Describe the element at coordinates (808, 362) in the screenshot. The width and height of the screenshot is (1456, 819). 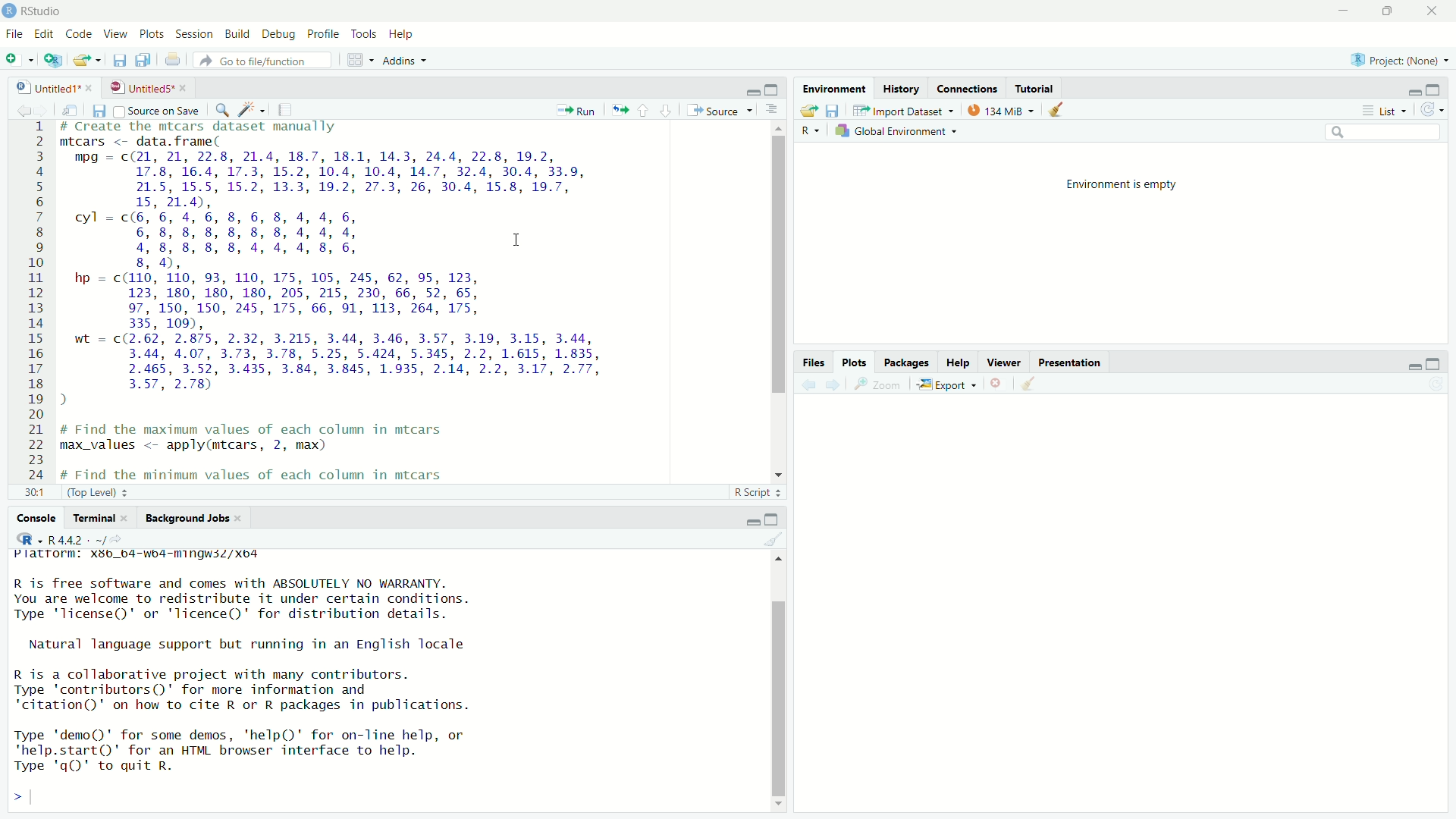
I see `` at that location.